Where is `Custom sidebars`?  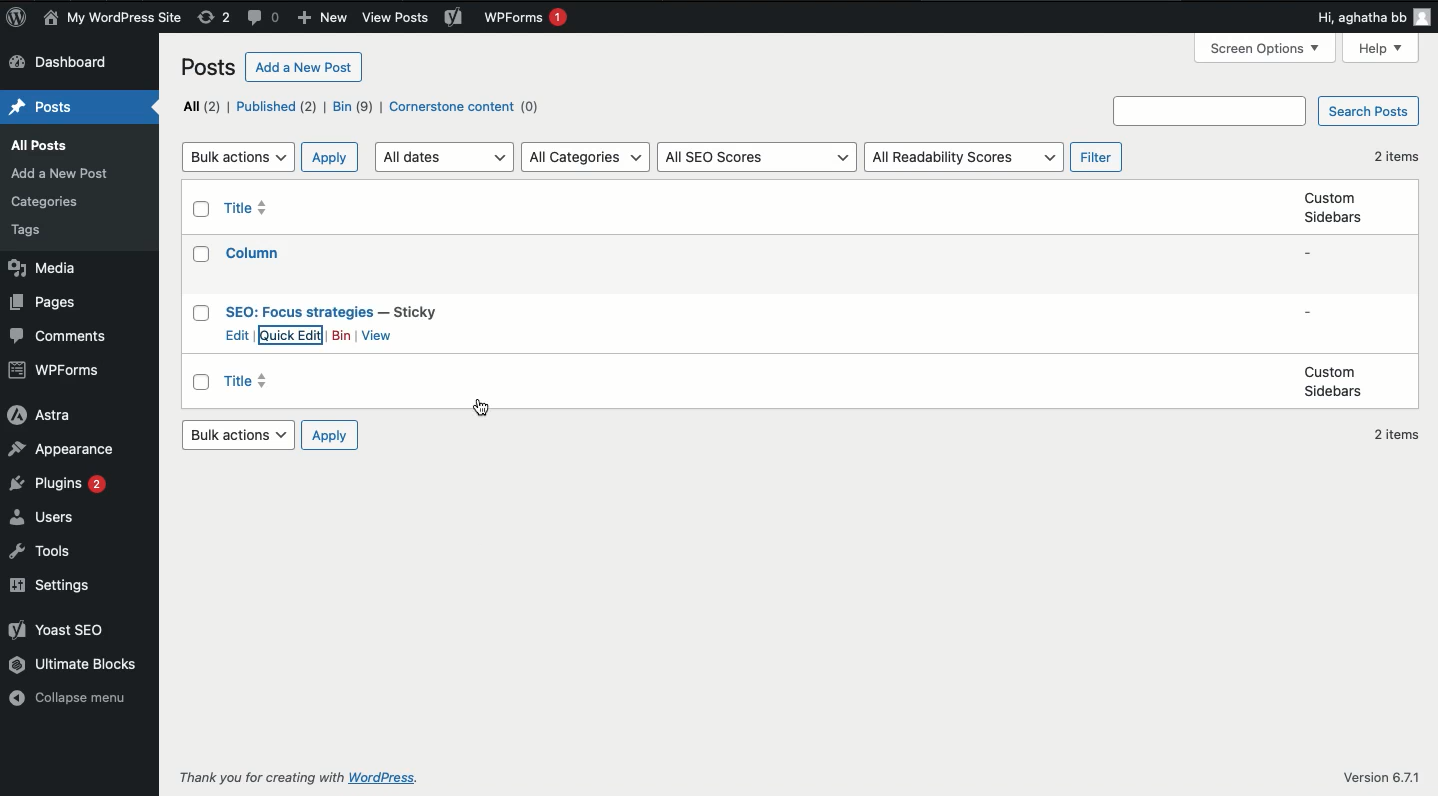
Custom sidebars is located at coordinates (1333, 382).